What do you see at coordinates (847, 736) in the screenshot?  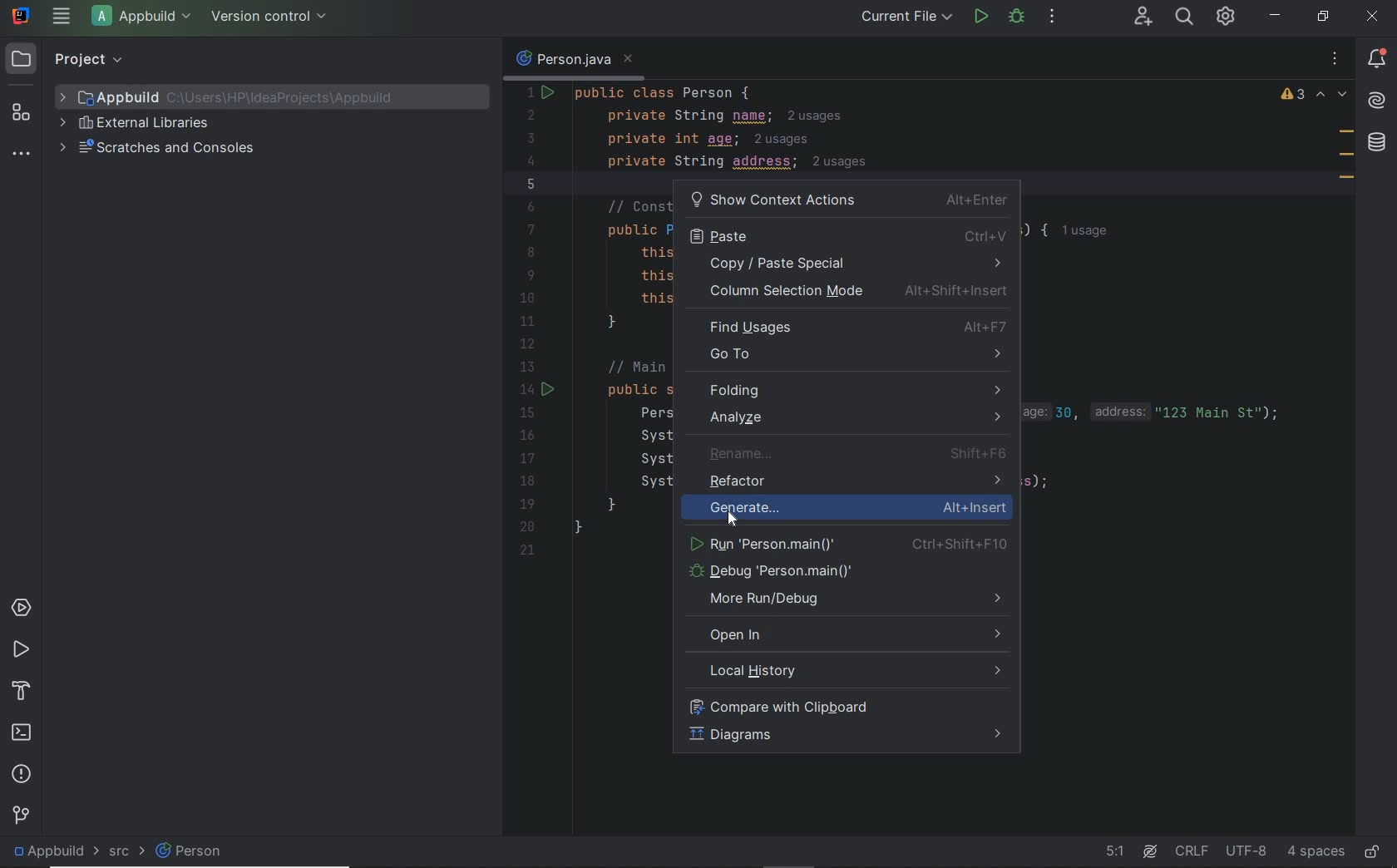 I see `diagrams` at bounding box center [847, 736].